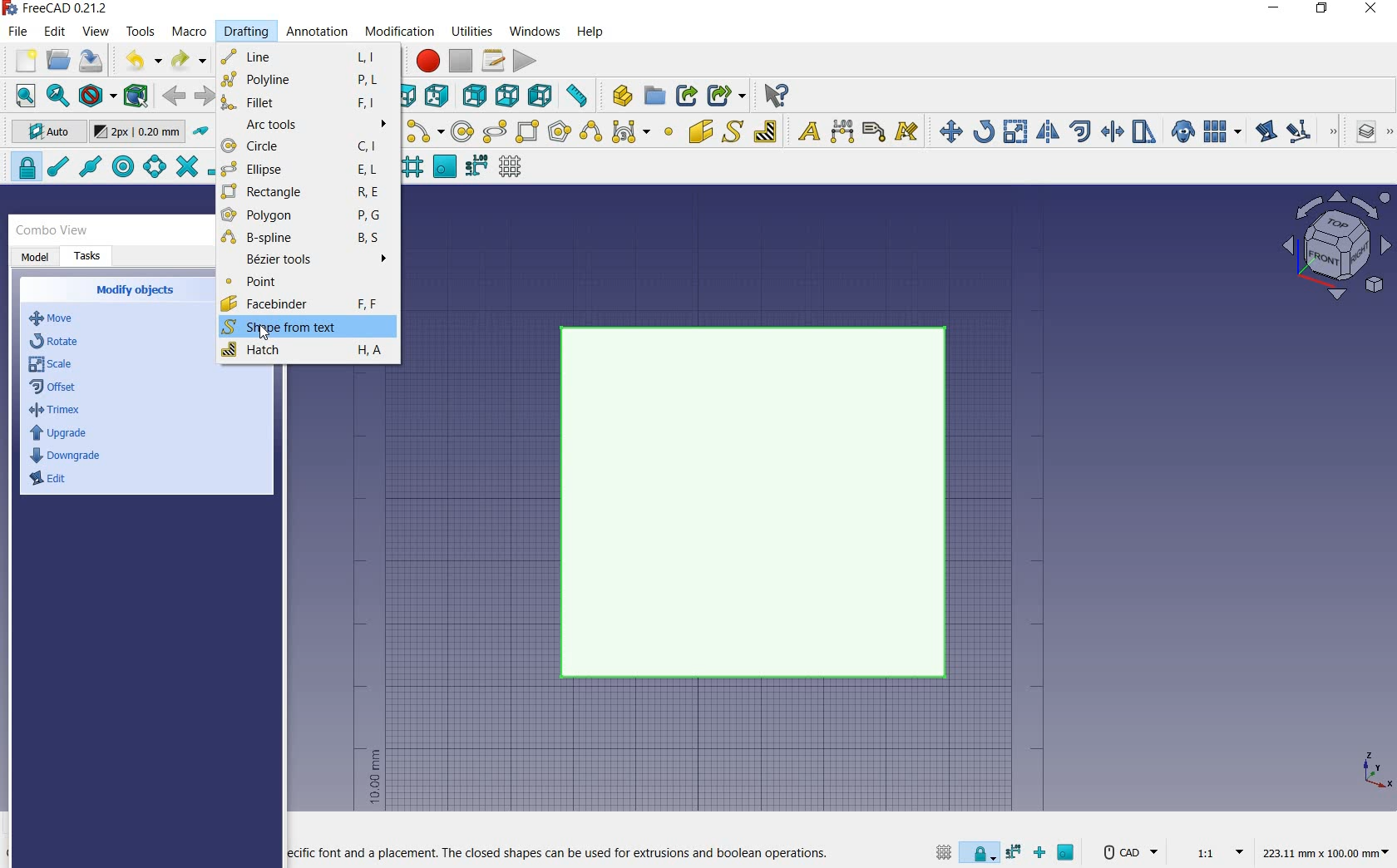  Describe the element at coordinates (52, 366) in the screenshot. I see `scale` at that location.